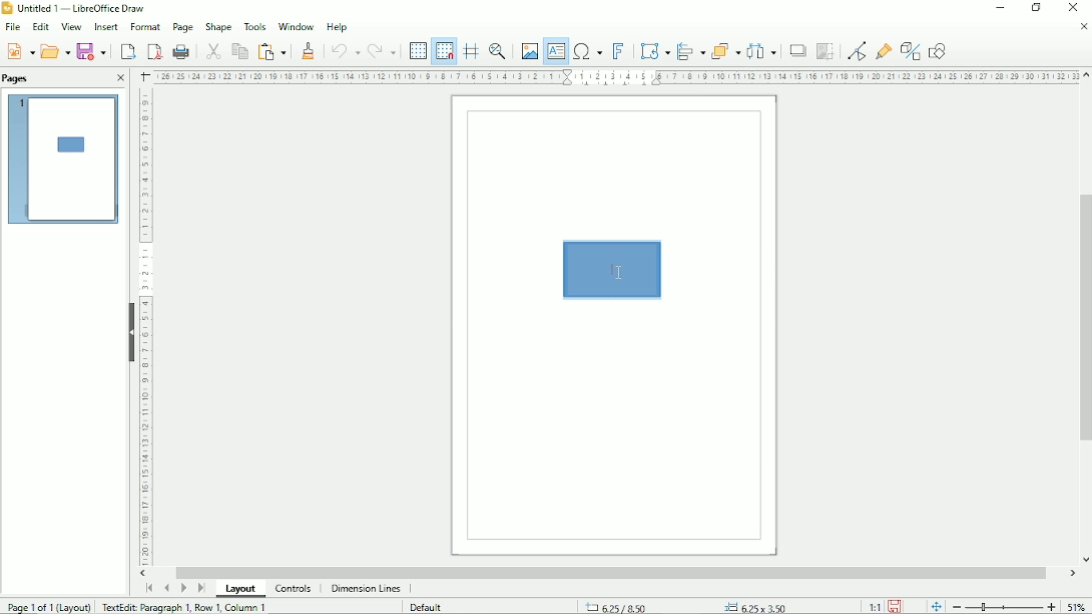  I want to click on Format, so click(145, 26).